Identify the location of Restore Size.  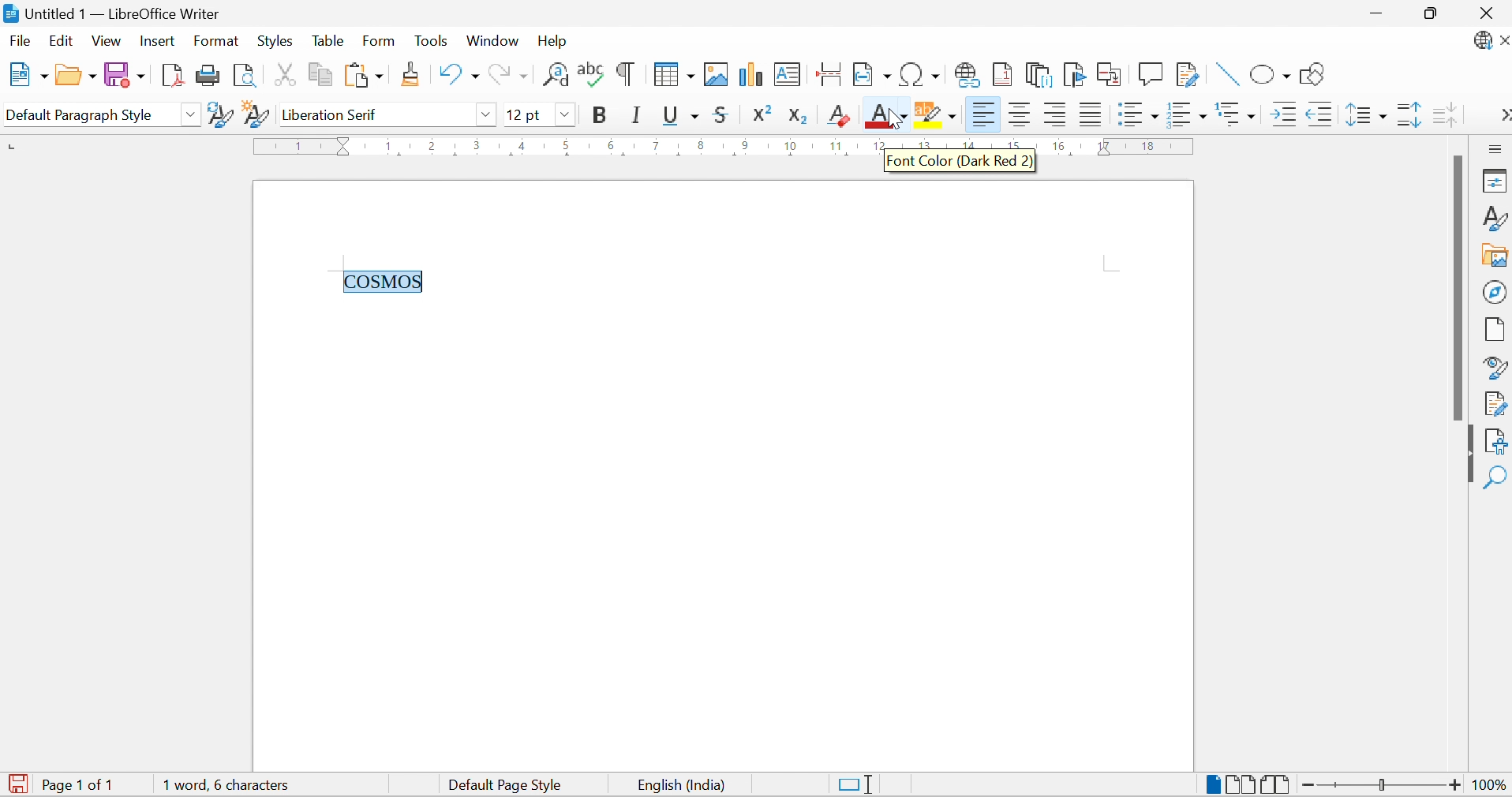
(1432, 17).